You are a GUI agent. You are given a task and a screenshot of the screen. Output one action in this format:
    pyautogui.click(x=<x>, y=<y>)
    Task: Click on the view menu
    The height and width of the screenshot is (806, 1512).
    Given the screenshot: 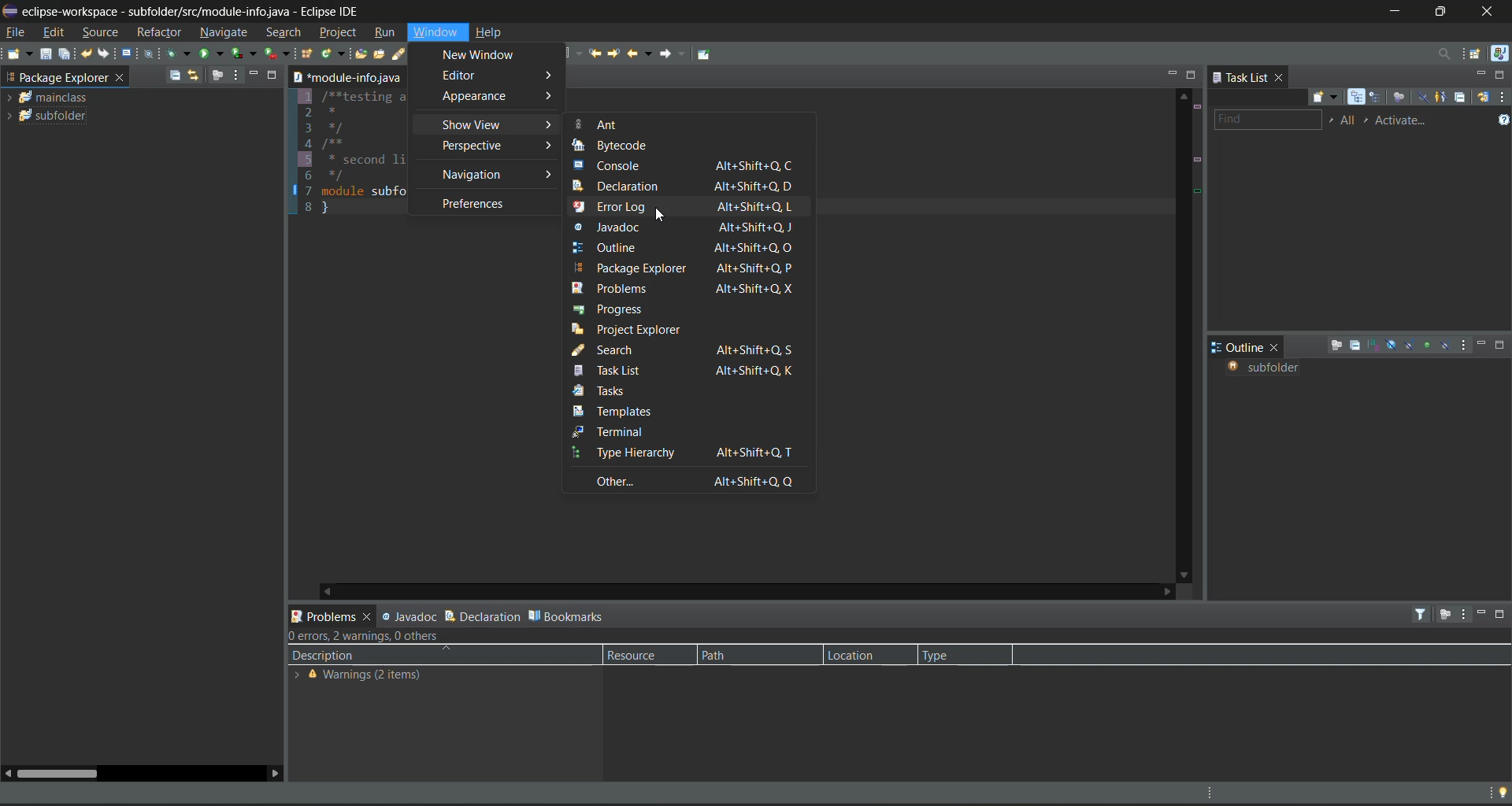 What is the action you would take?
    pyautogui.click(x=1463, y=613)
    